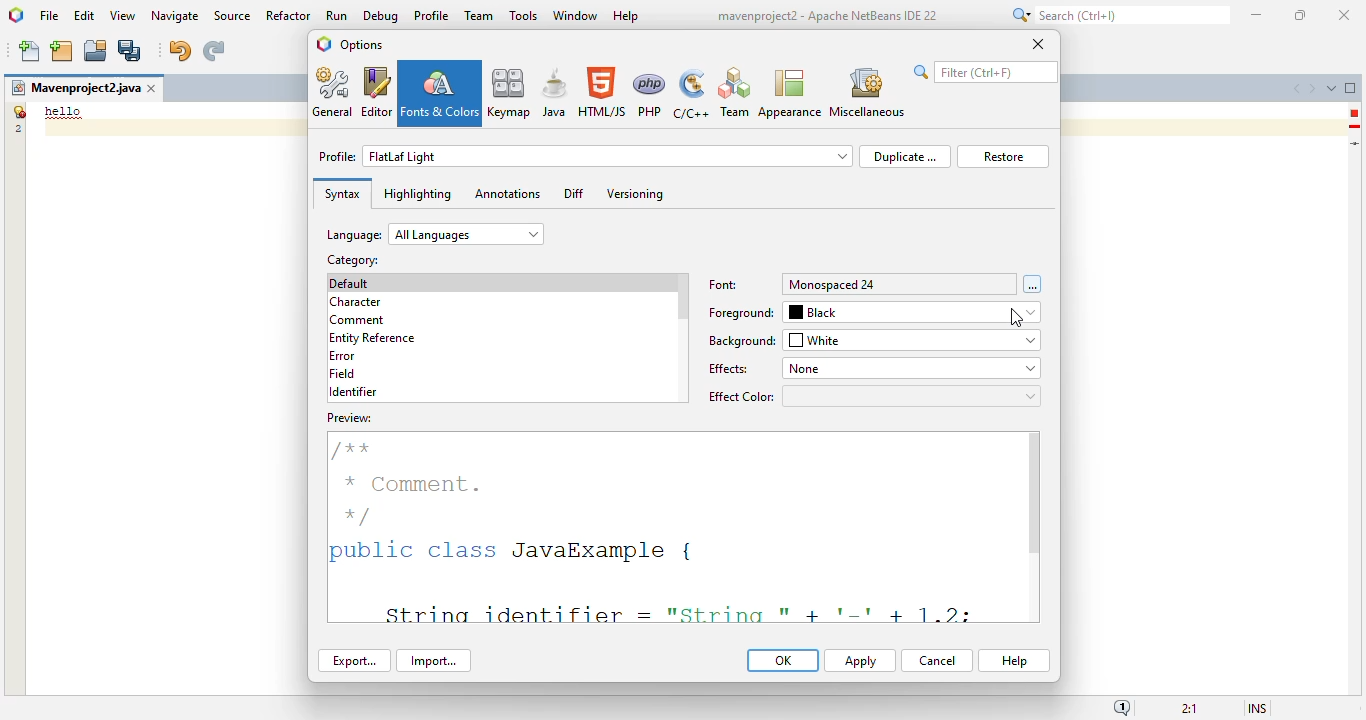 The image size is (1366, 720). Describe the element at coordinates (510, 92) in the screenshot. I see `keymap` at that location.